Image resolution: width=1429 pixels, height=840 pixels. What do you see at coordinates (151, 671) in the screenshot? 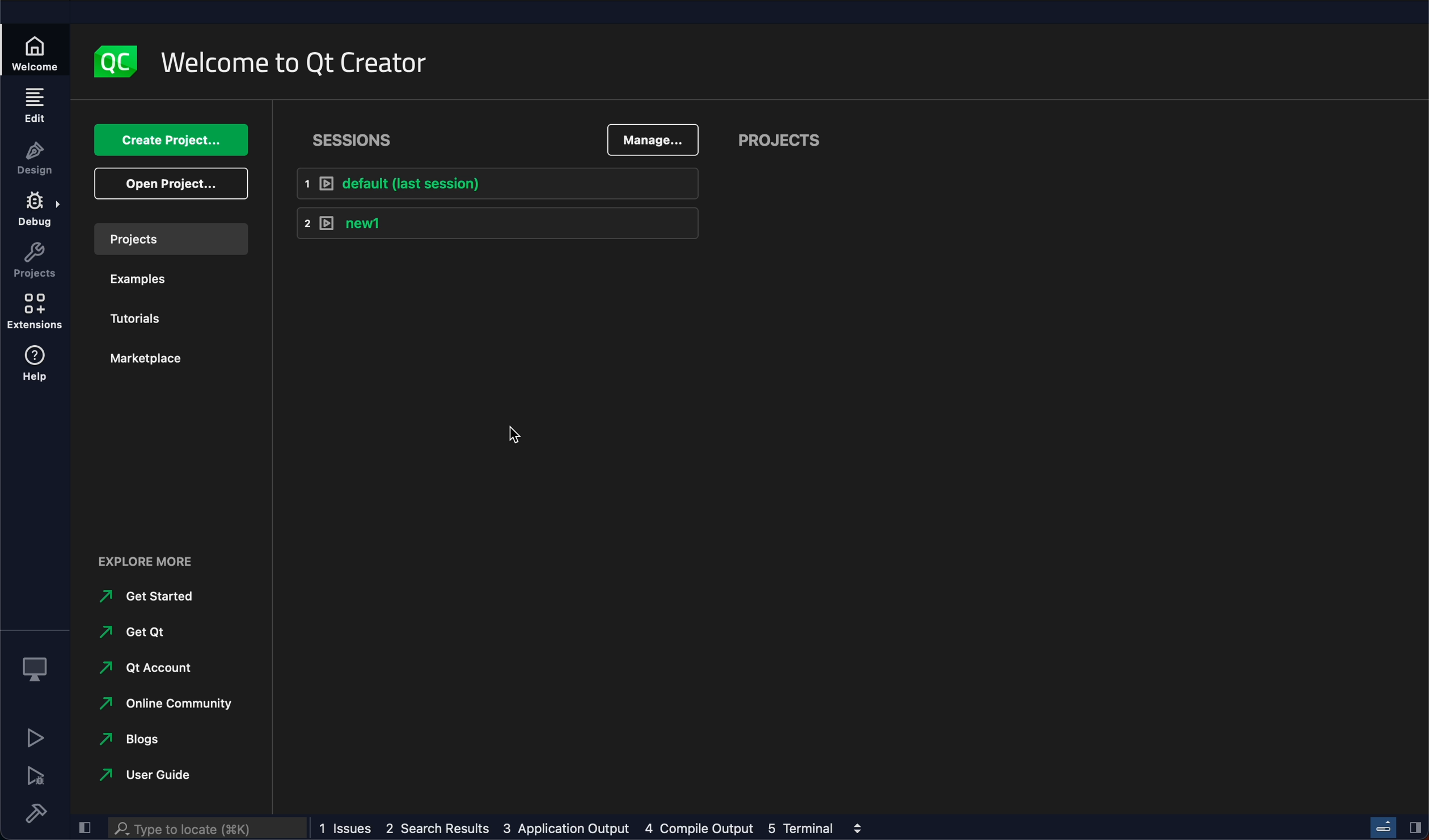
I see `qt account` at bounding box center [151, 671].